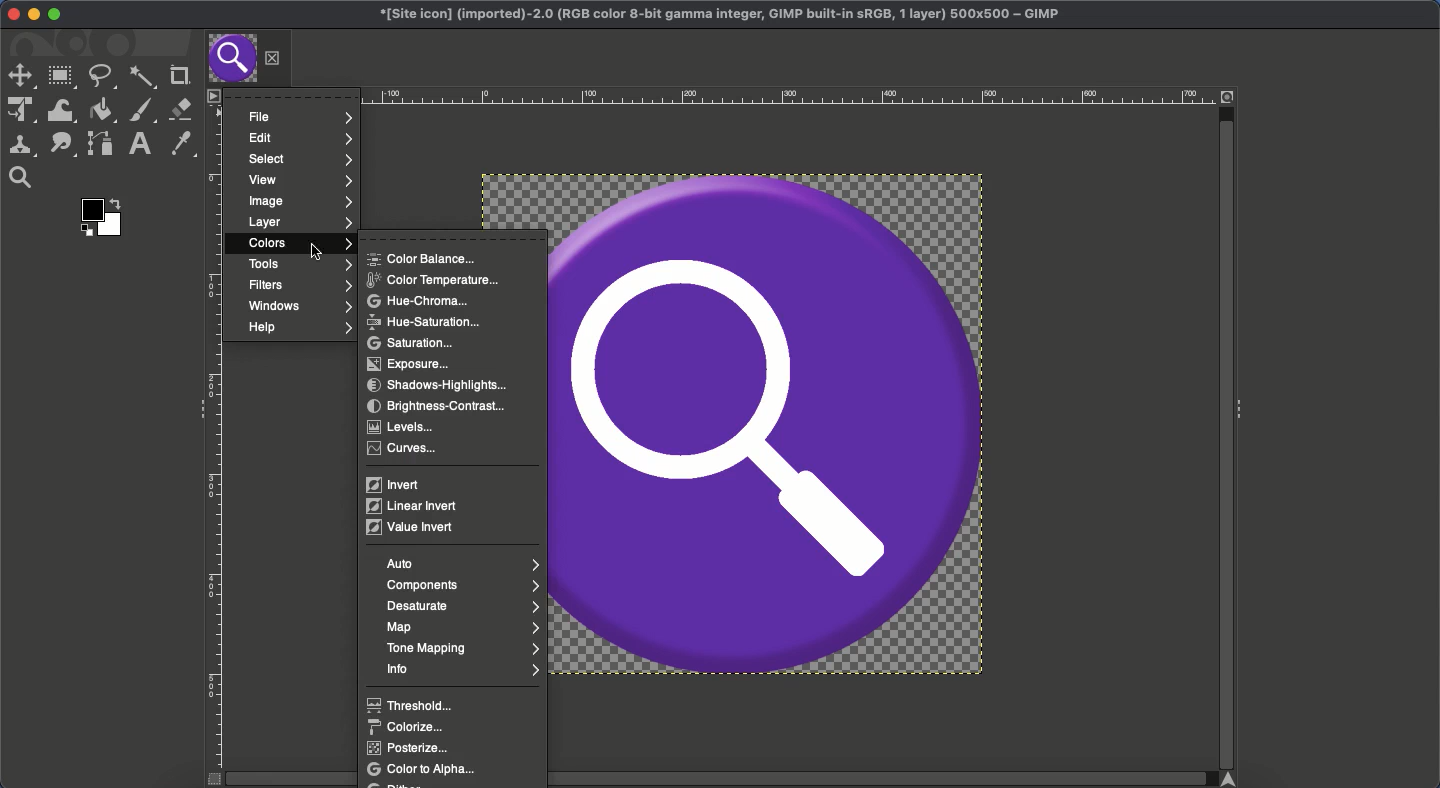  Describe the element at coordinates (298, 160) in the screenshot. I see `Select` at that location.